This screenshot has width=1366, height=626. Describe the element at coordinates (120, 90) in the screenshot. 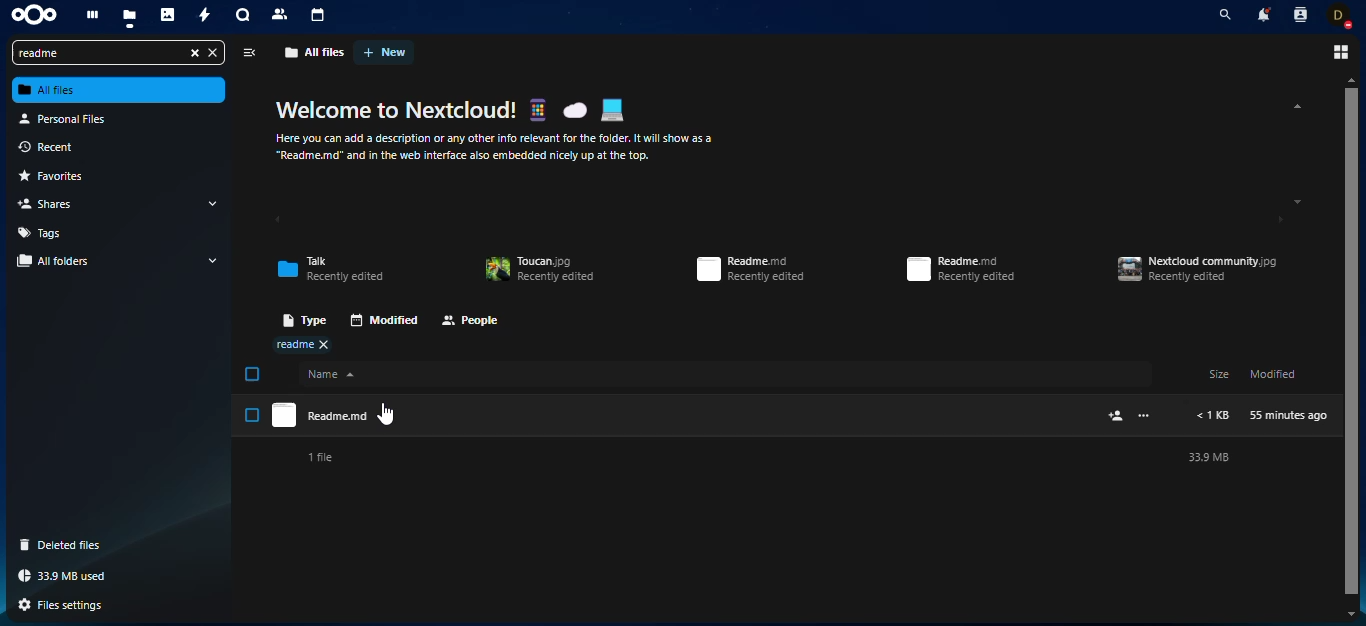

I see `all files` at that location.